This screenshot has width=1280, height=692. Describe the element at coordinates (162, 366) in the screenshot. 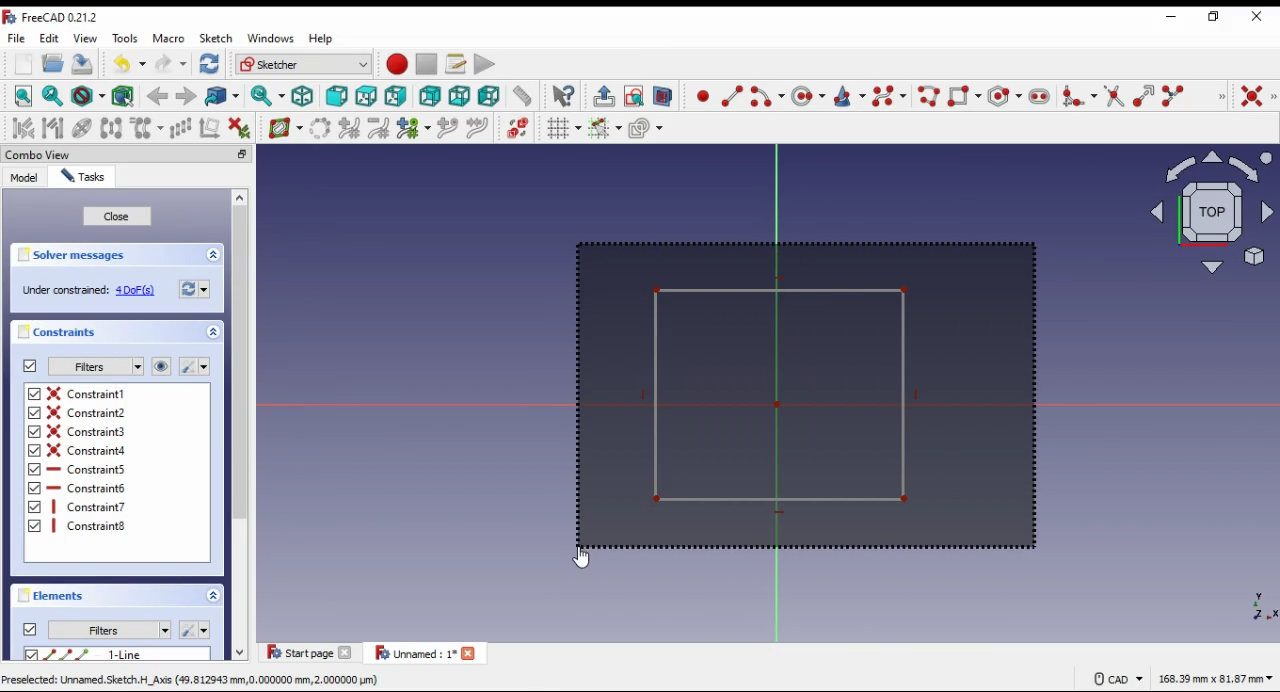

I see `show/hide all constraints in 3D view` at that location.